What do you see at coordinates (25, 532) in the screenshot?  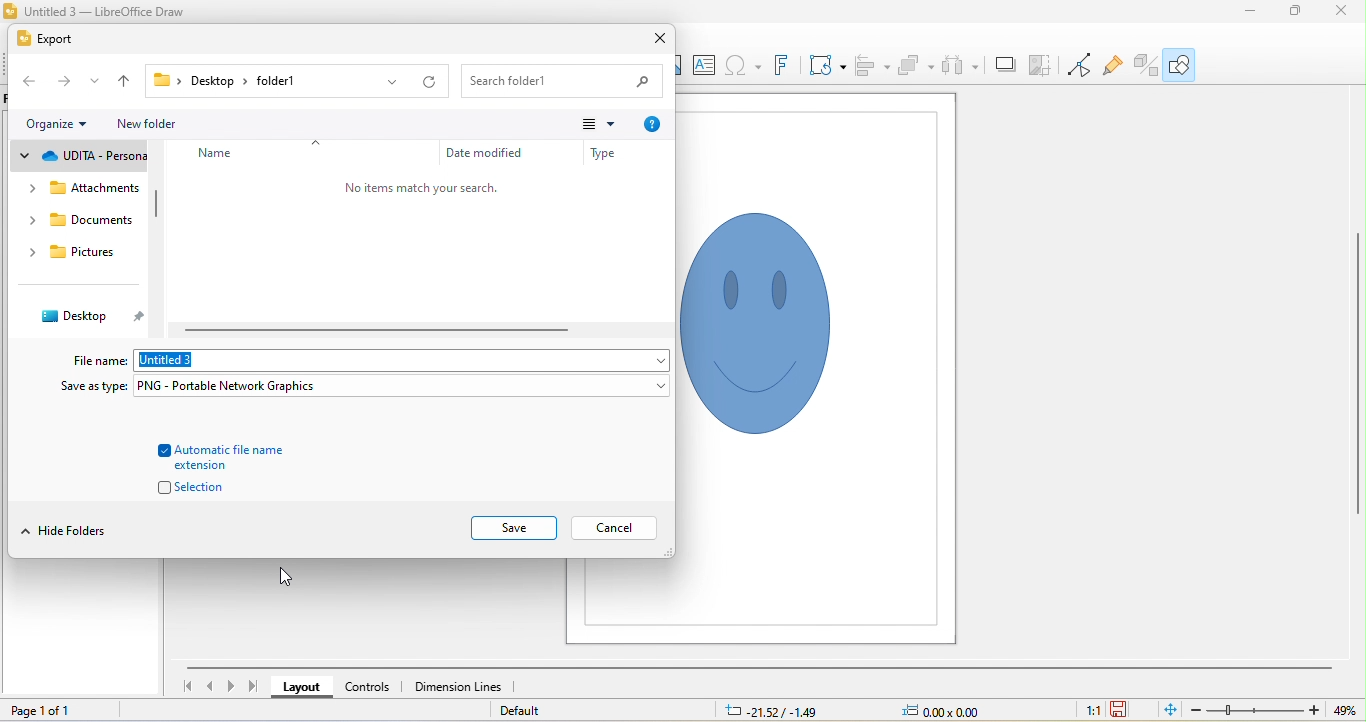 I see `drop down` at bounding box center [25, 532].